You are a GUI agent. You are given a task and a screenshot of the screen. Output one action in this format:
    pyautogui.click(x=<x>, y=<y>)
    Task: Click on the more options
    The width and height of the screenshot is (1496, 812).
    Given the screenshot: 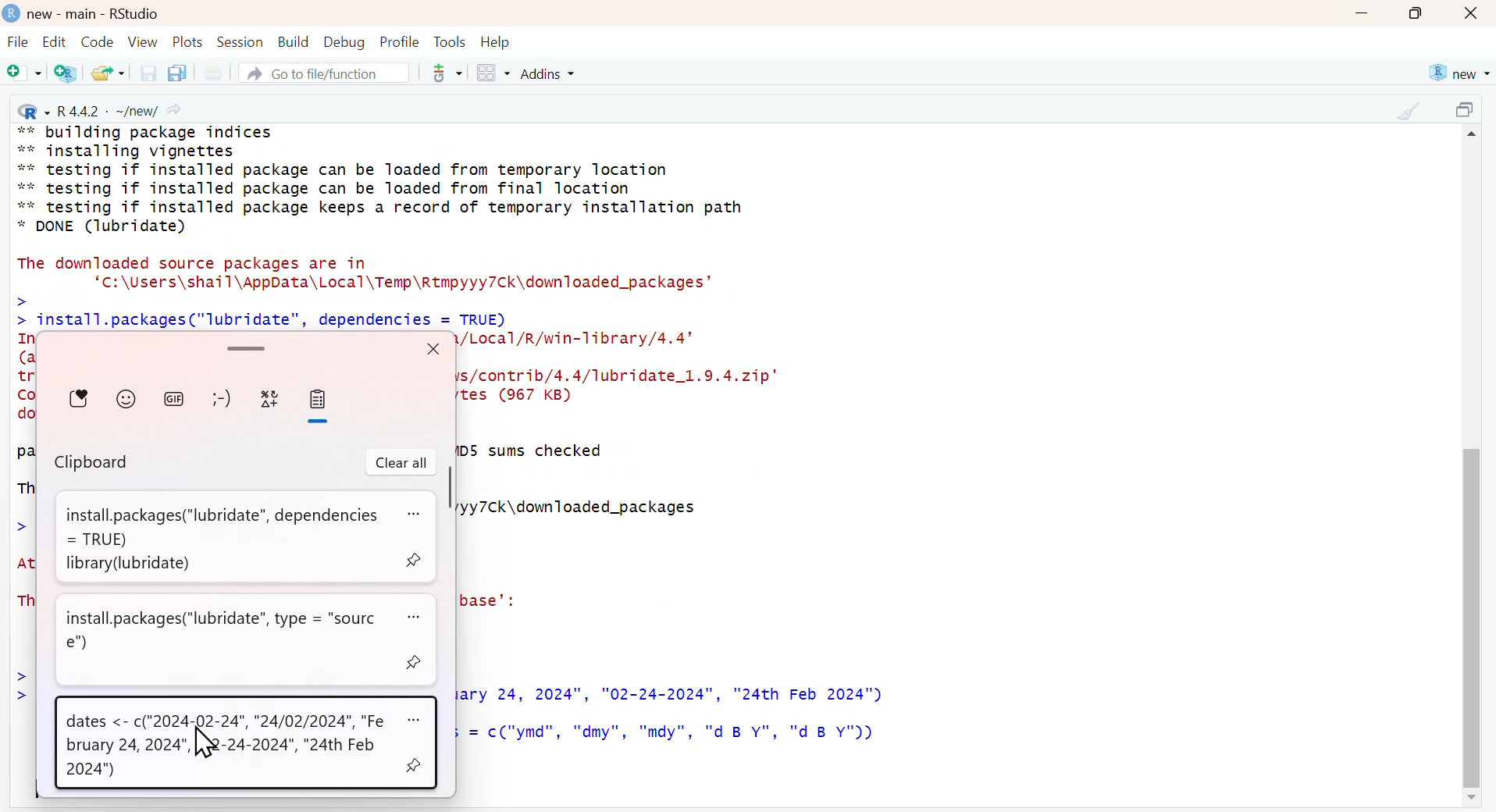 What is the action you would take?
    pyautogui.click(x=442, y=73)
    